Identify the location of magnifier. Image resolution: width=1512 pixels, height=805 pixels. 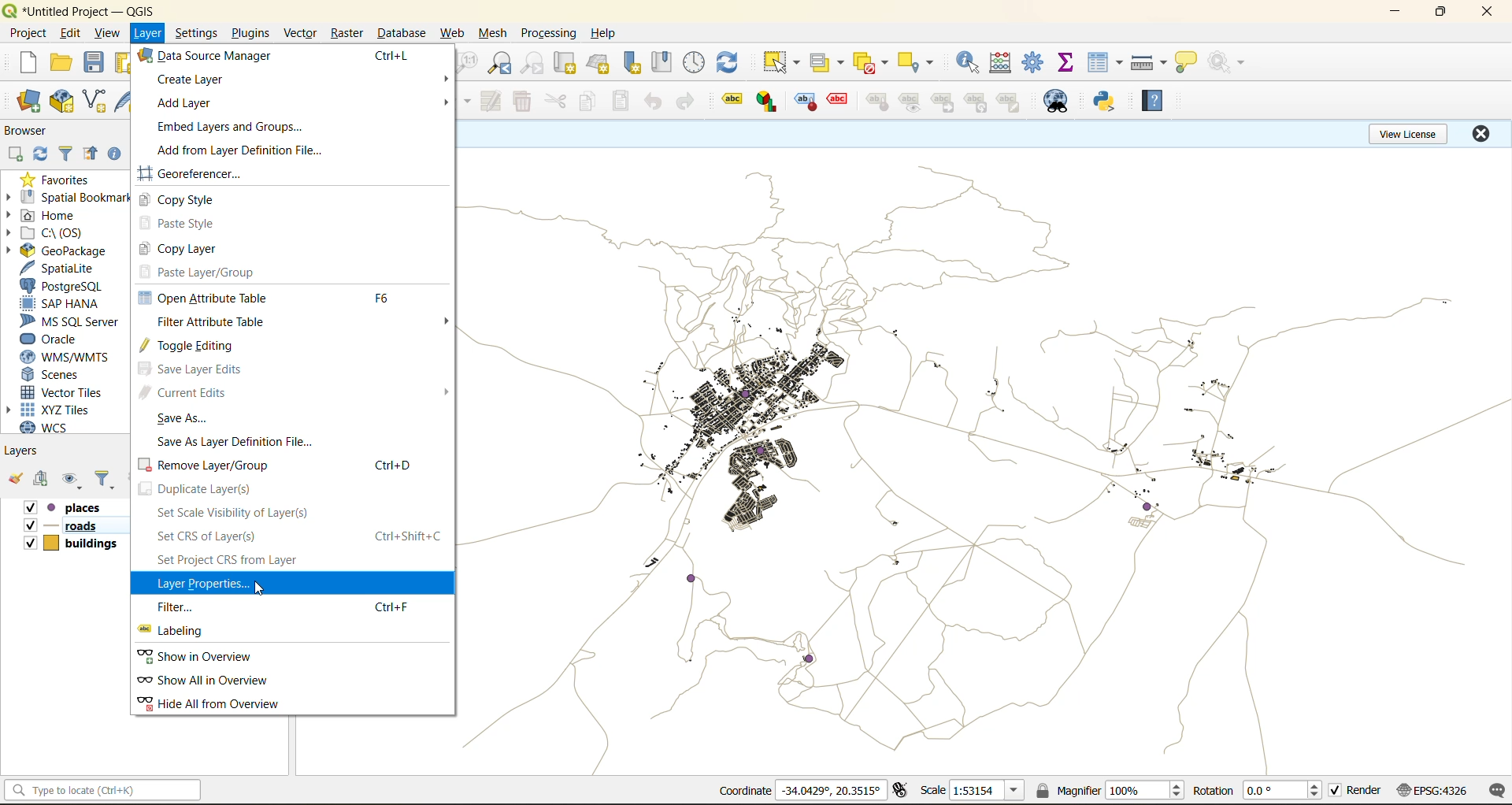
(1110, 793).